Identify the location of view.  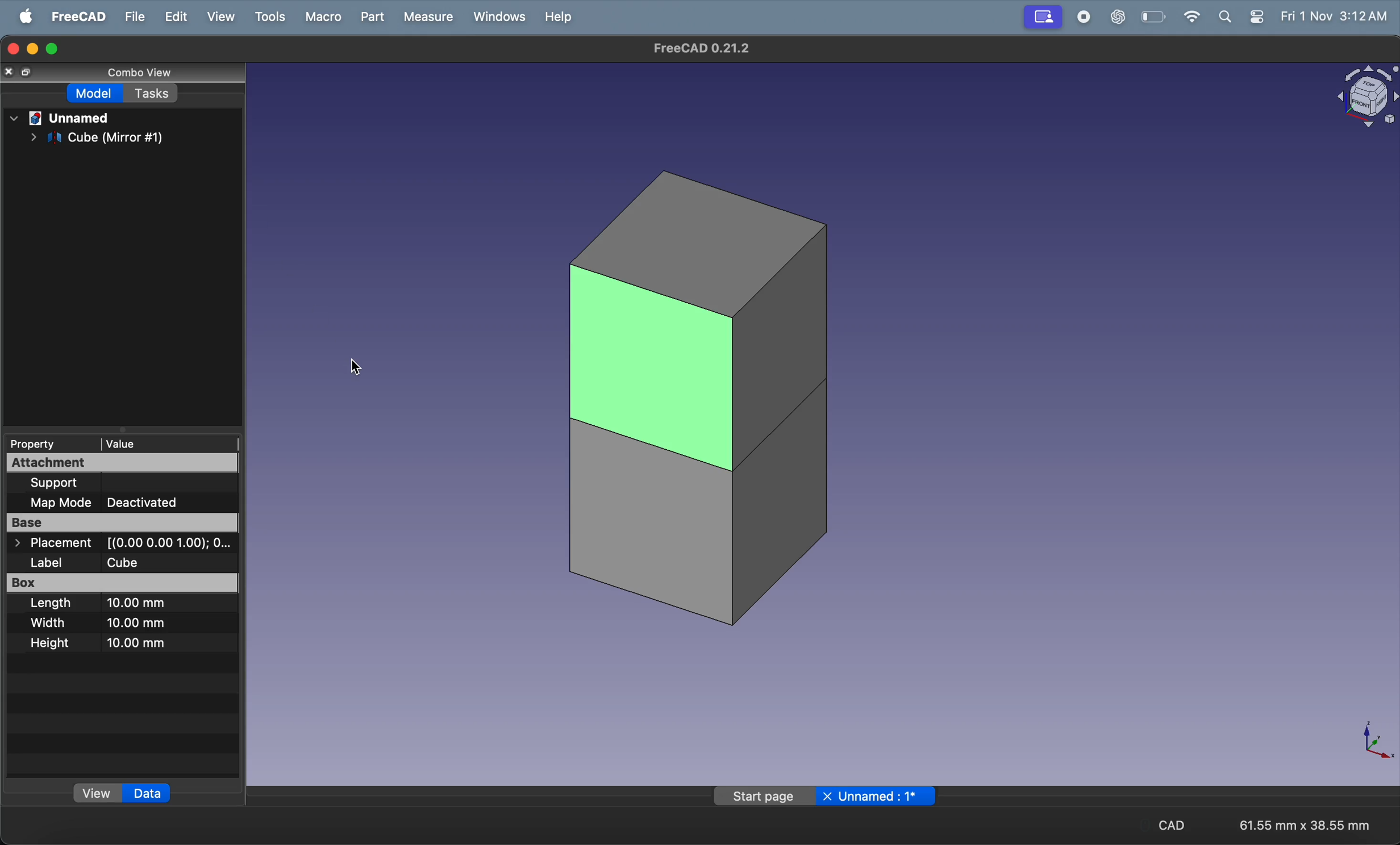
(220, 16).